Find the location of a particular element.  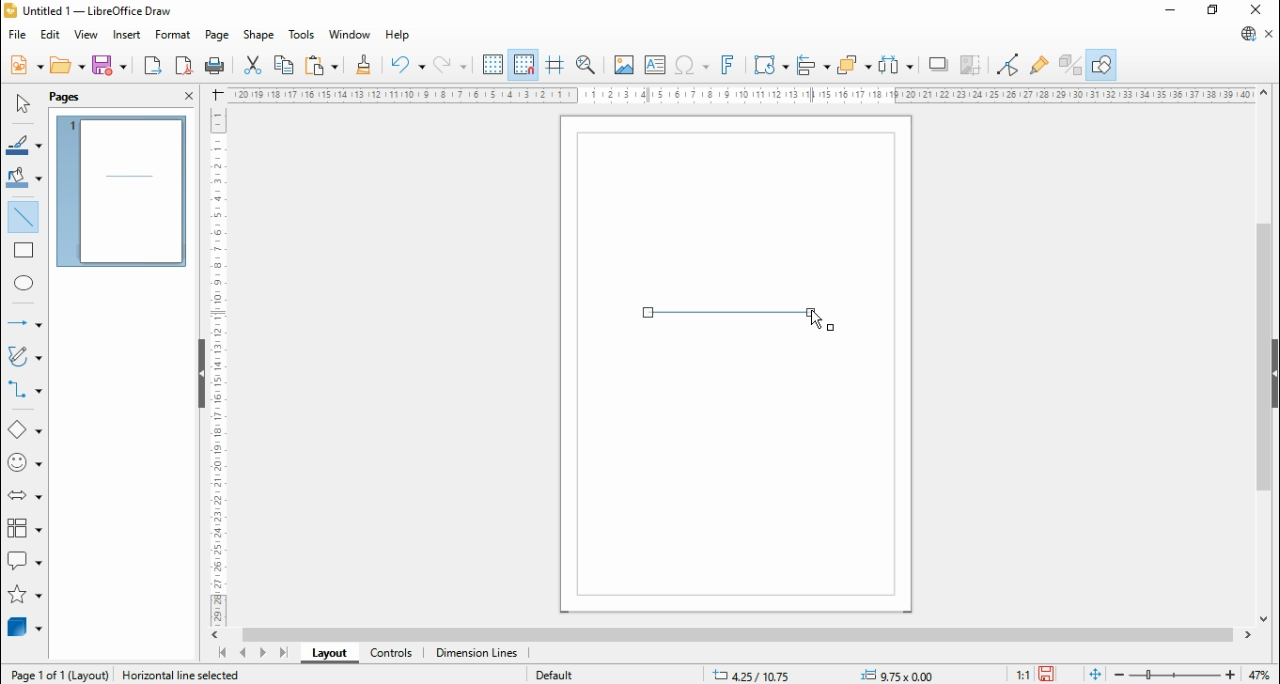

zoom slider is located at coordinates (1173, 675).